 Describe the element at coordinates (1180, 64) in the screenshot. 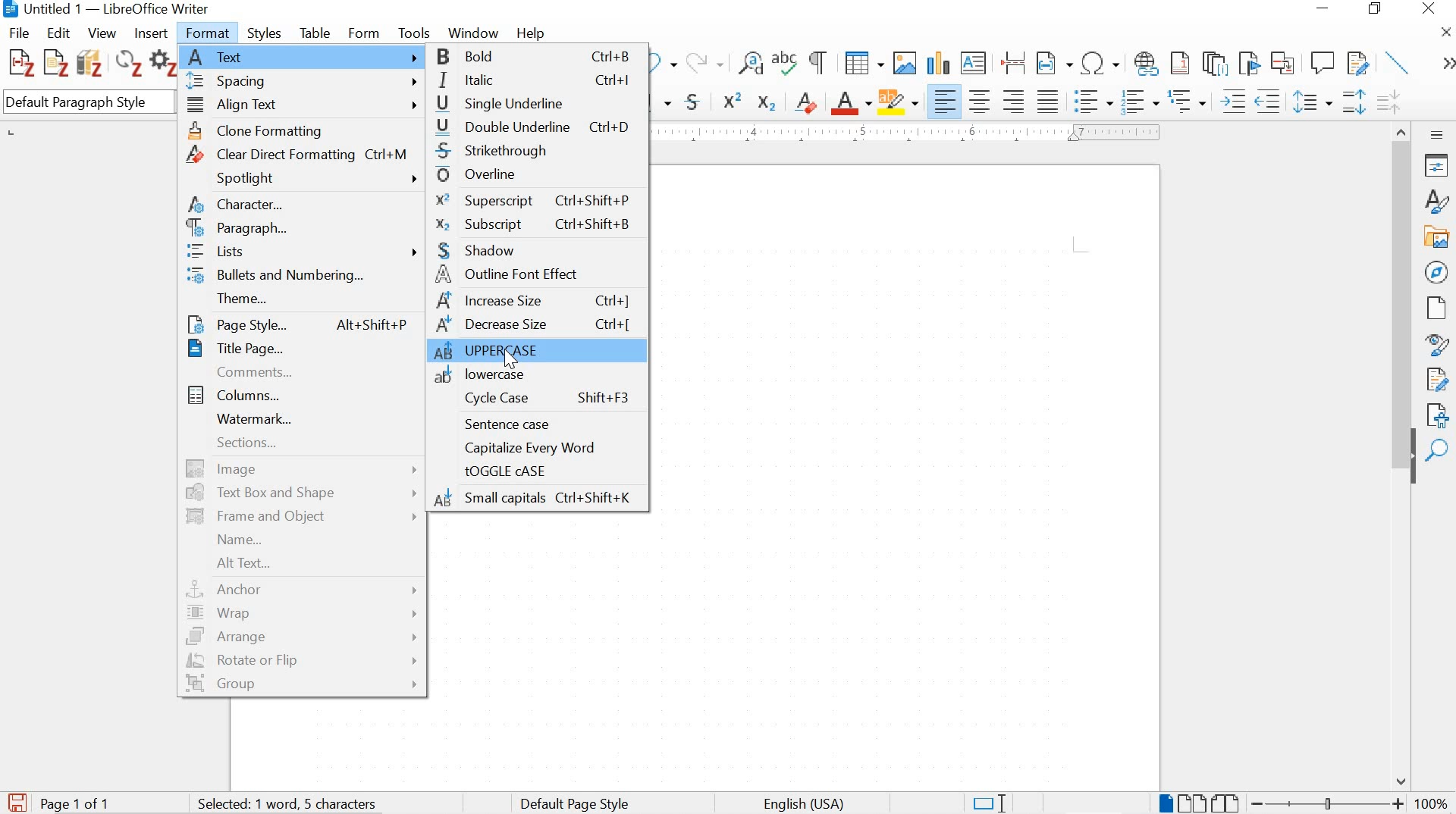

I see `insert endnote` at that location.